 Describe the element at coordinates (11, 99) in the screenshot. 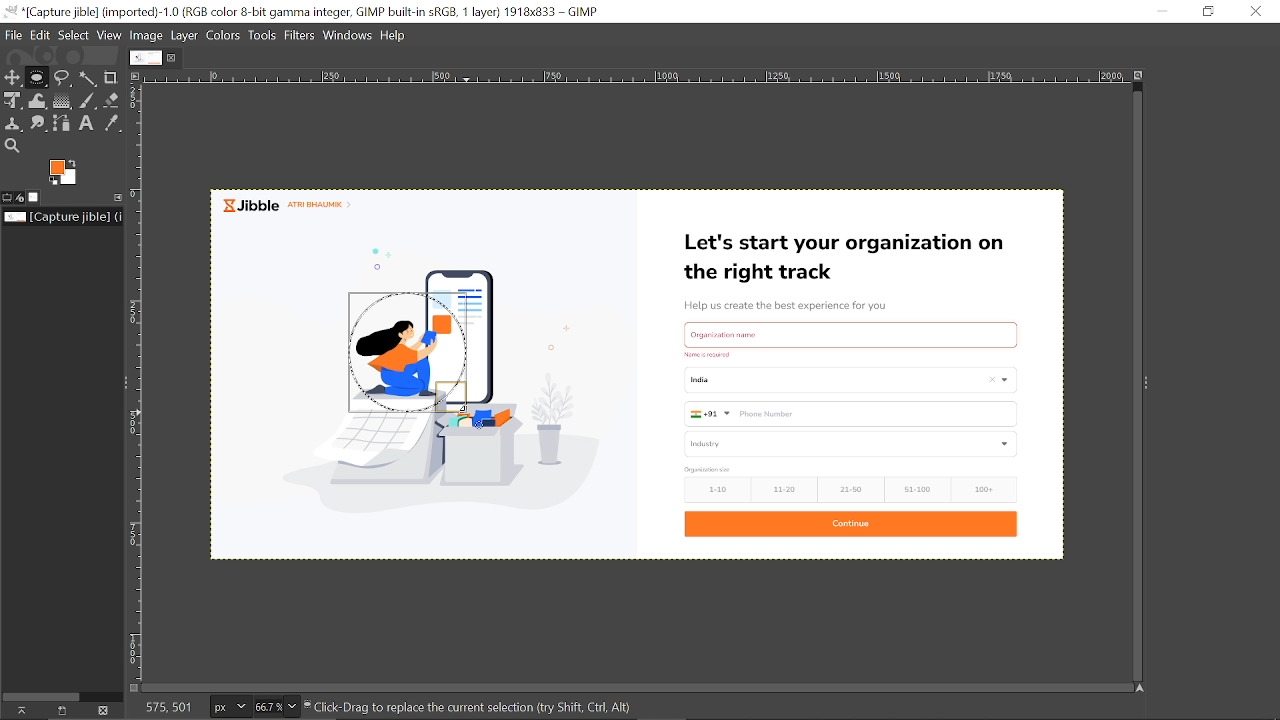

I see `Unified transform tool` at that location.